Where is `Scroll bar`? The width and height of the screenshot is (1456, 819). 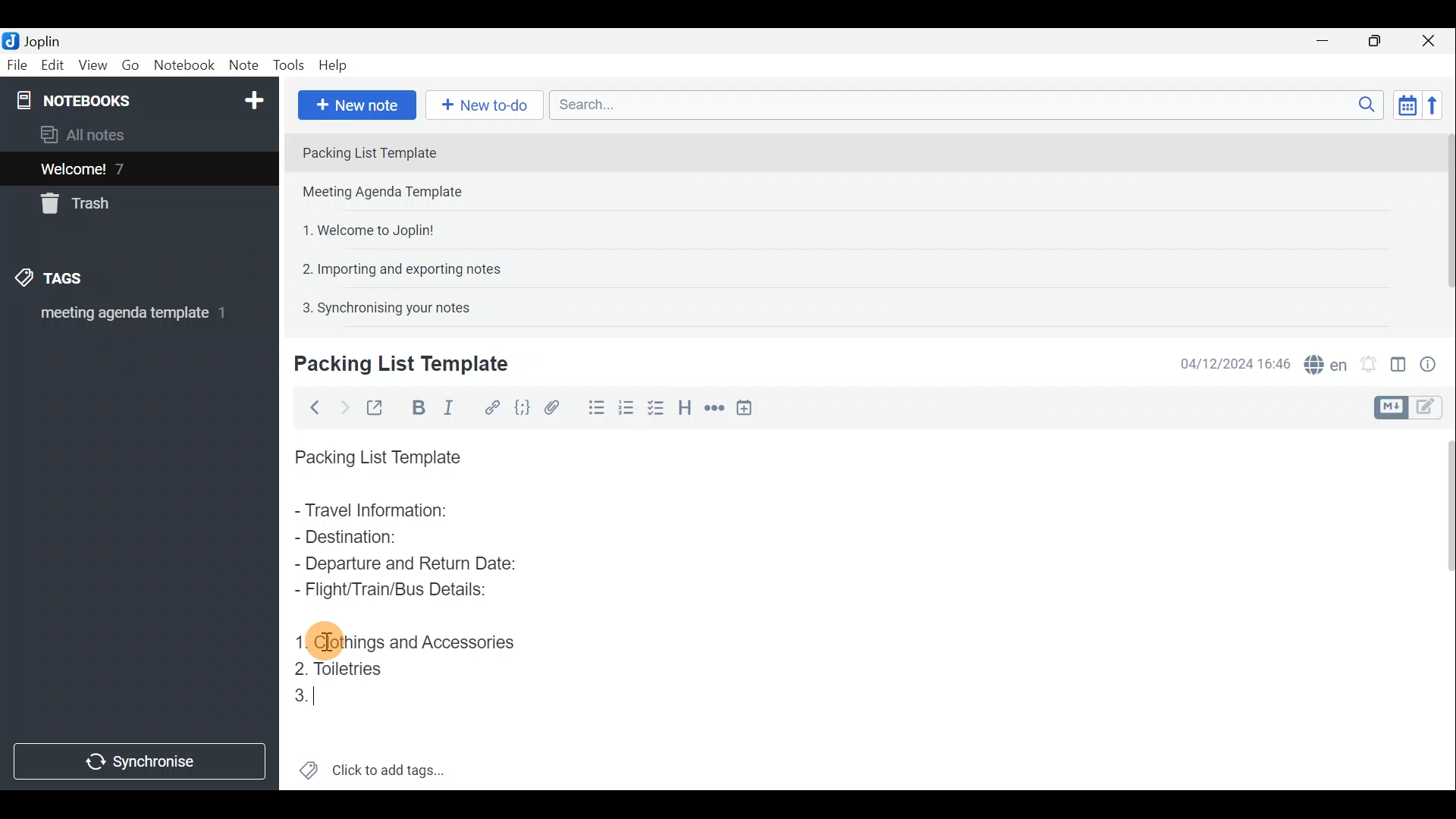
Scroll bar is located at coordinates (1442, 607).